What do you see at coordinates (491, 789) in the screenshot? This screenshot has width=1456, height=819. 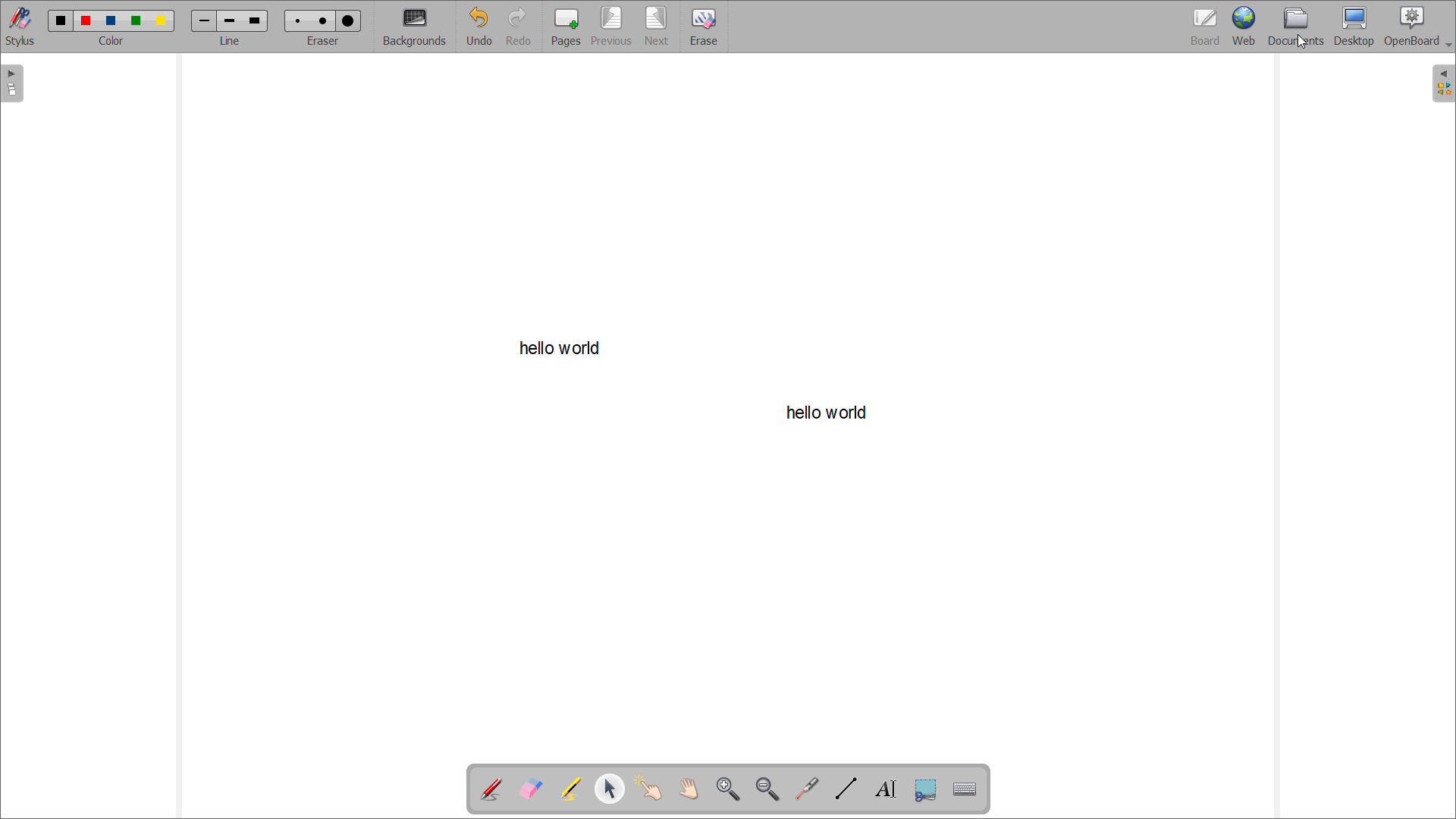 I see `add annotation` at bounding box center [491, 789].